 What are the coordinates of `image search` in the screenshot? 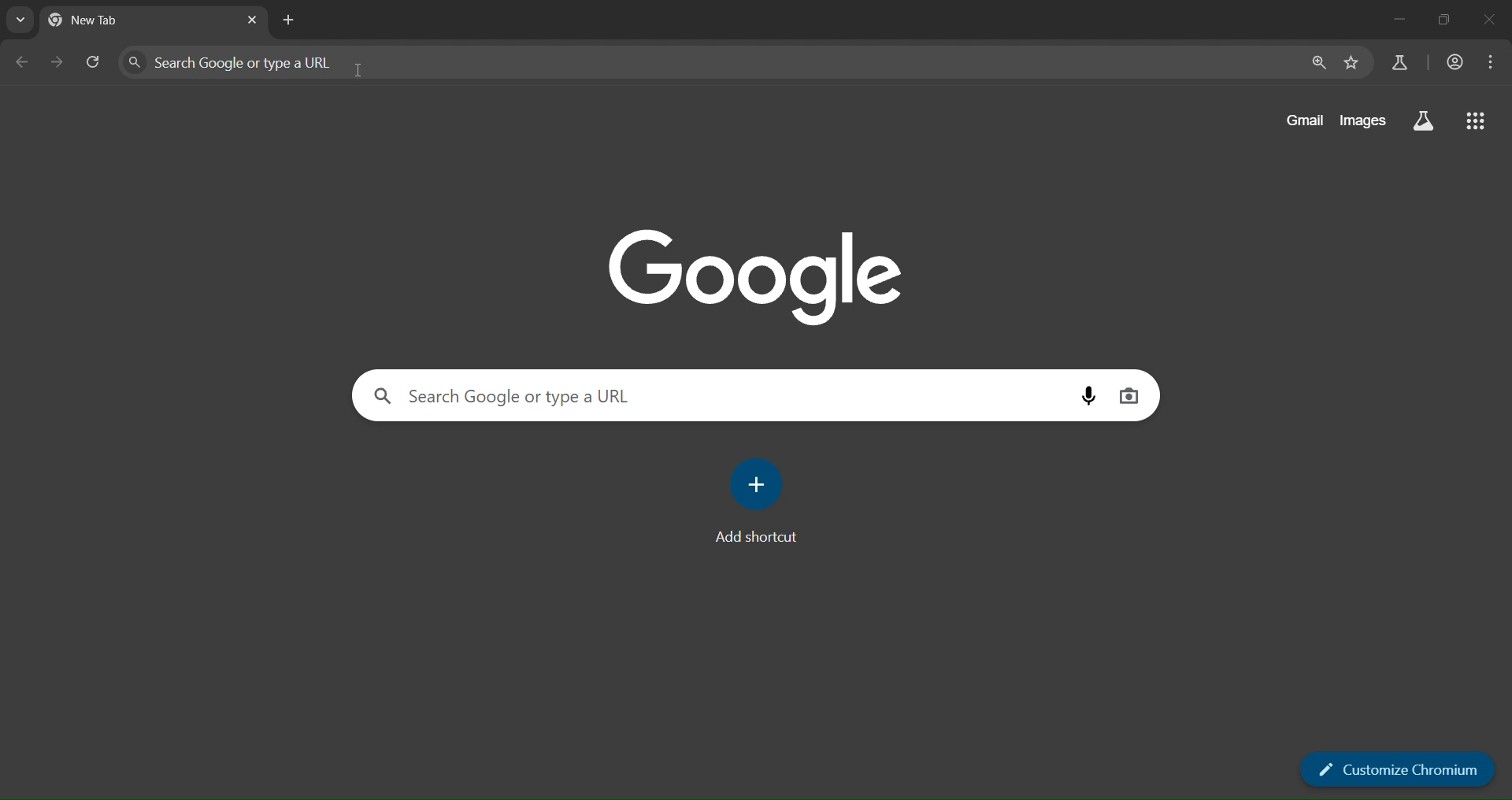 It's located at (1133, 395).